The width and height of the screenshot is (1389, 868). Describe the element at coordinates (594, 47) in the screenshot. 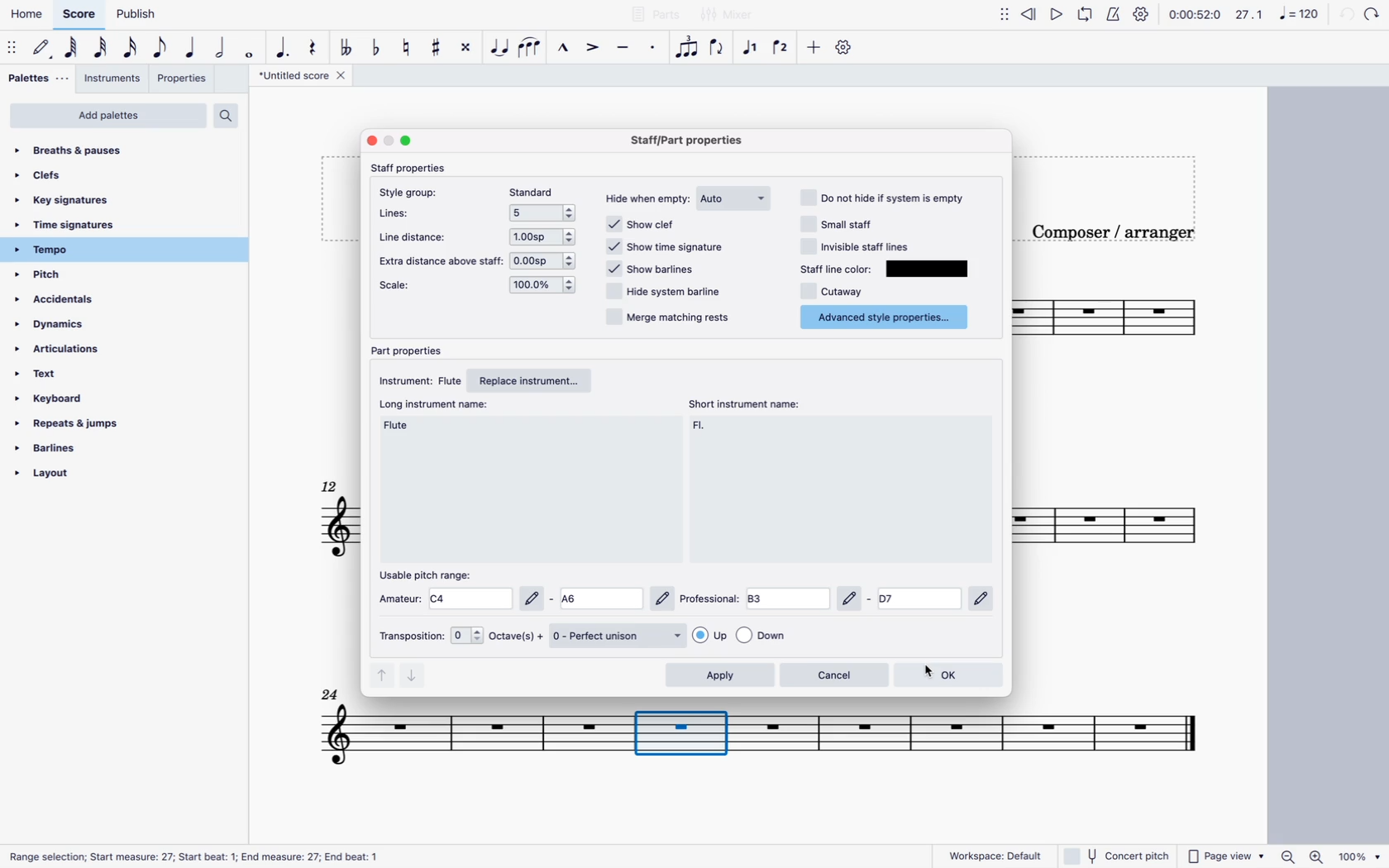

I see `accent` at that location.